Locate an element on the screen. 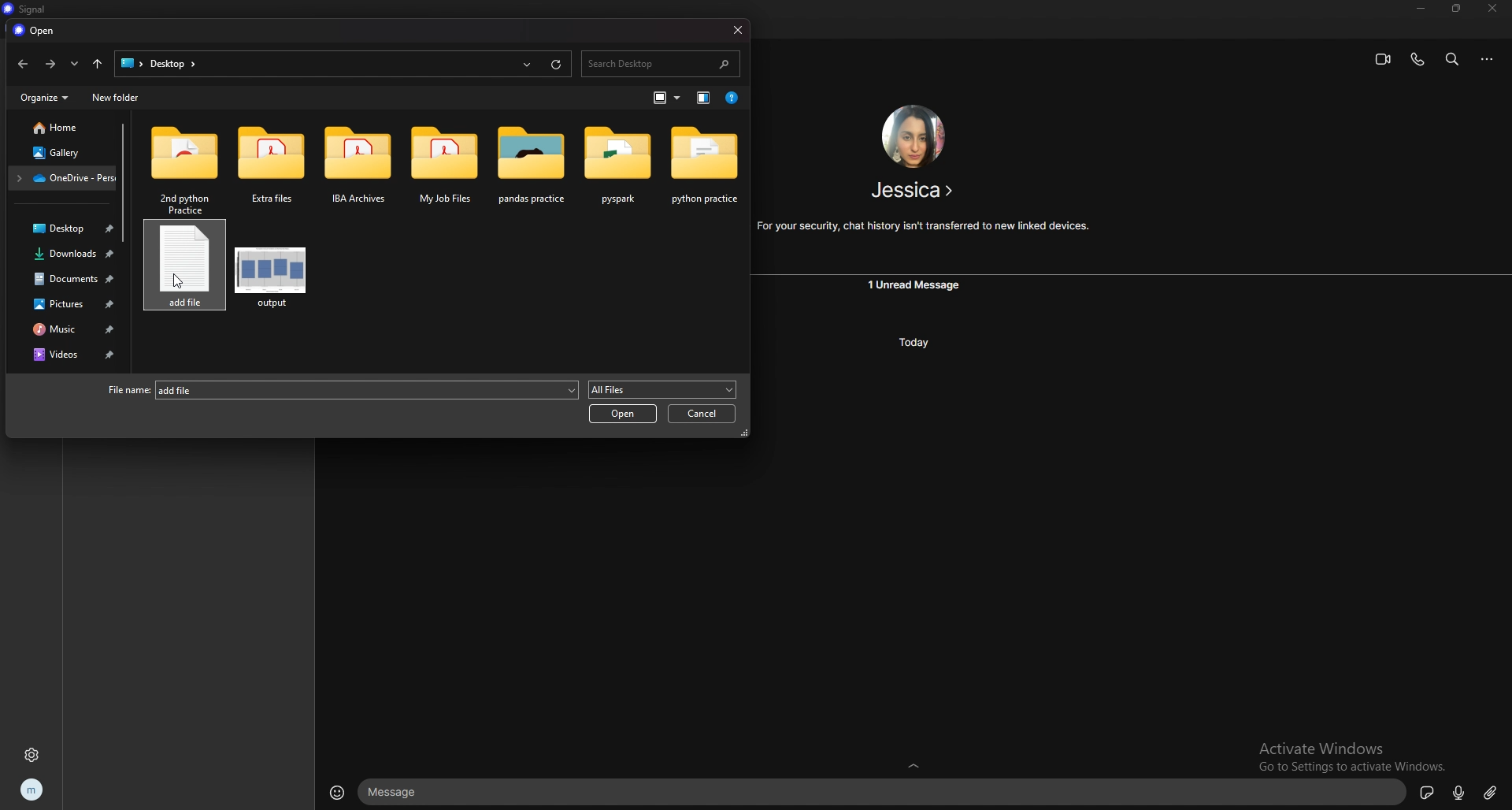  For your security, chat history isn't transferred to new linked devices. is located at coordinates (924, 226).